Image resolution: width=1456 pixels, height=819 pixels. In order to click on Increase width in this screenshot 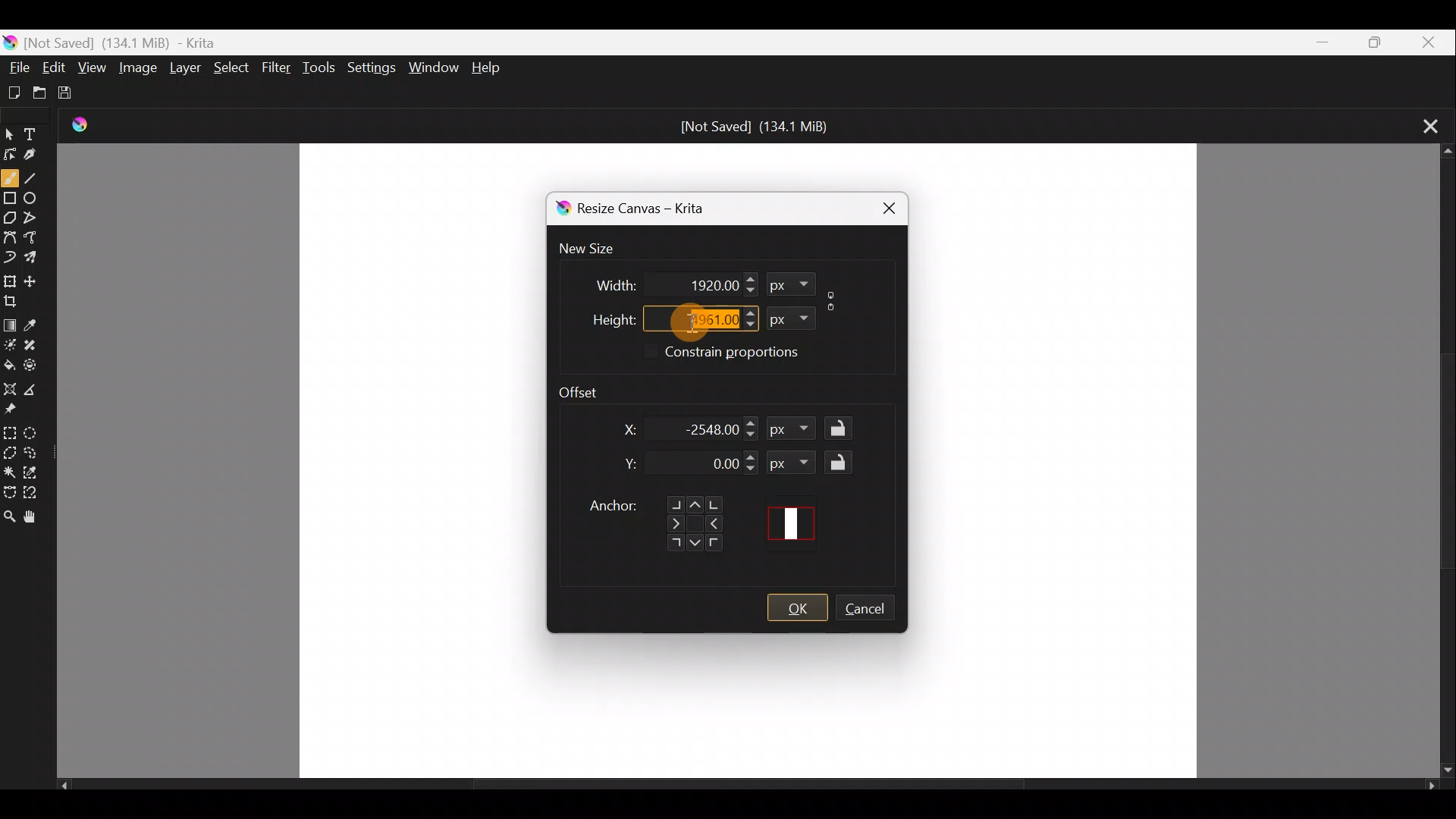, I will do `click(750, 278)`.